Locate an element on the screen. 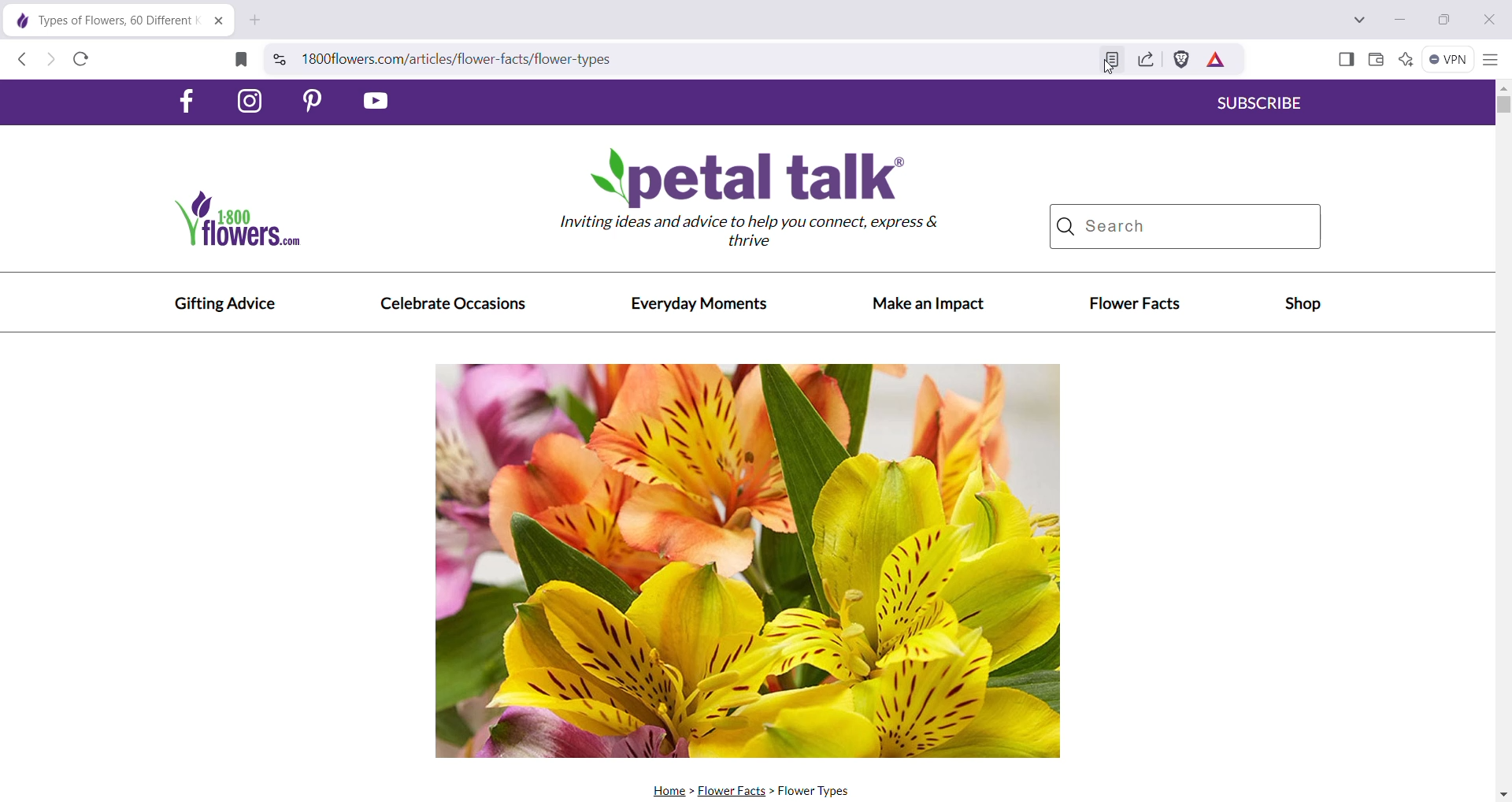  Close Tab is located at coordinates (219, 22).